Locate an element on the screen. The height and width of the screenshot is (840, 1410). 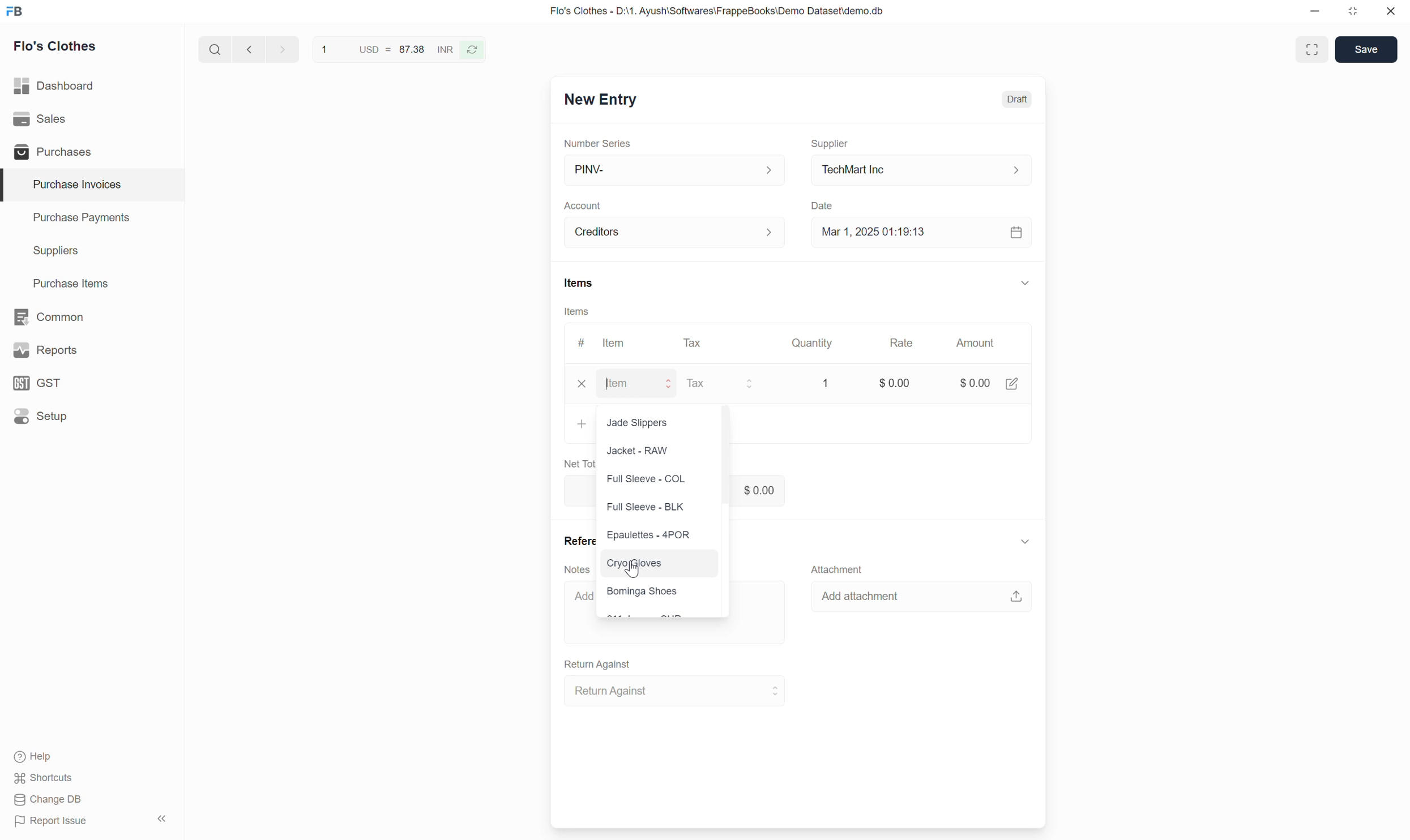
New Entry is located at coordinates (599, 101).